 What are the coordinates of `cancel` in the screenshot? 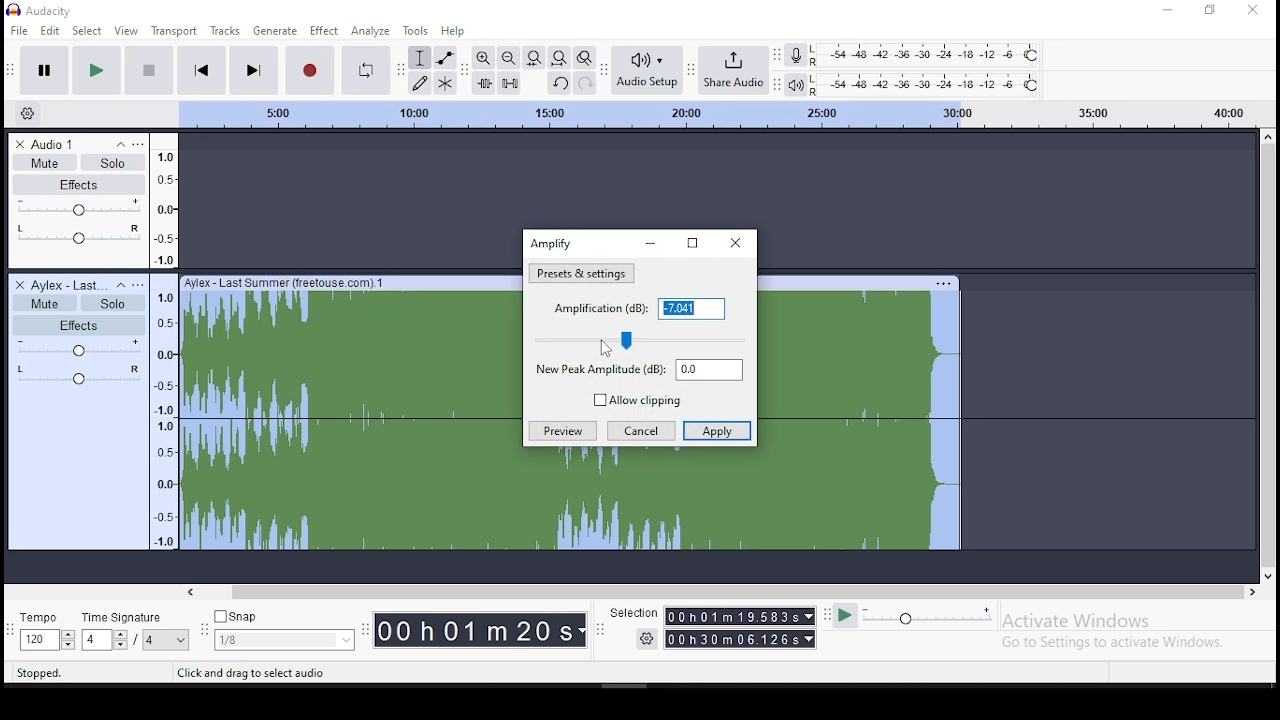 It's located at (641, 430).